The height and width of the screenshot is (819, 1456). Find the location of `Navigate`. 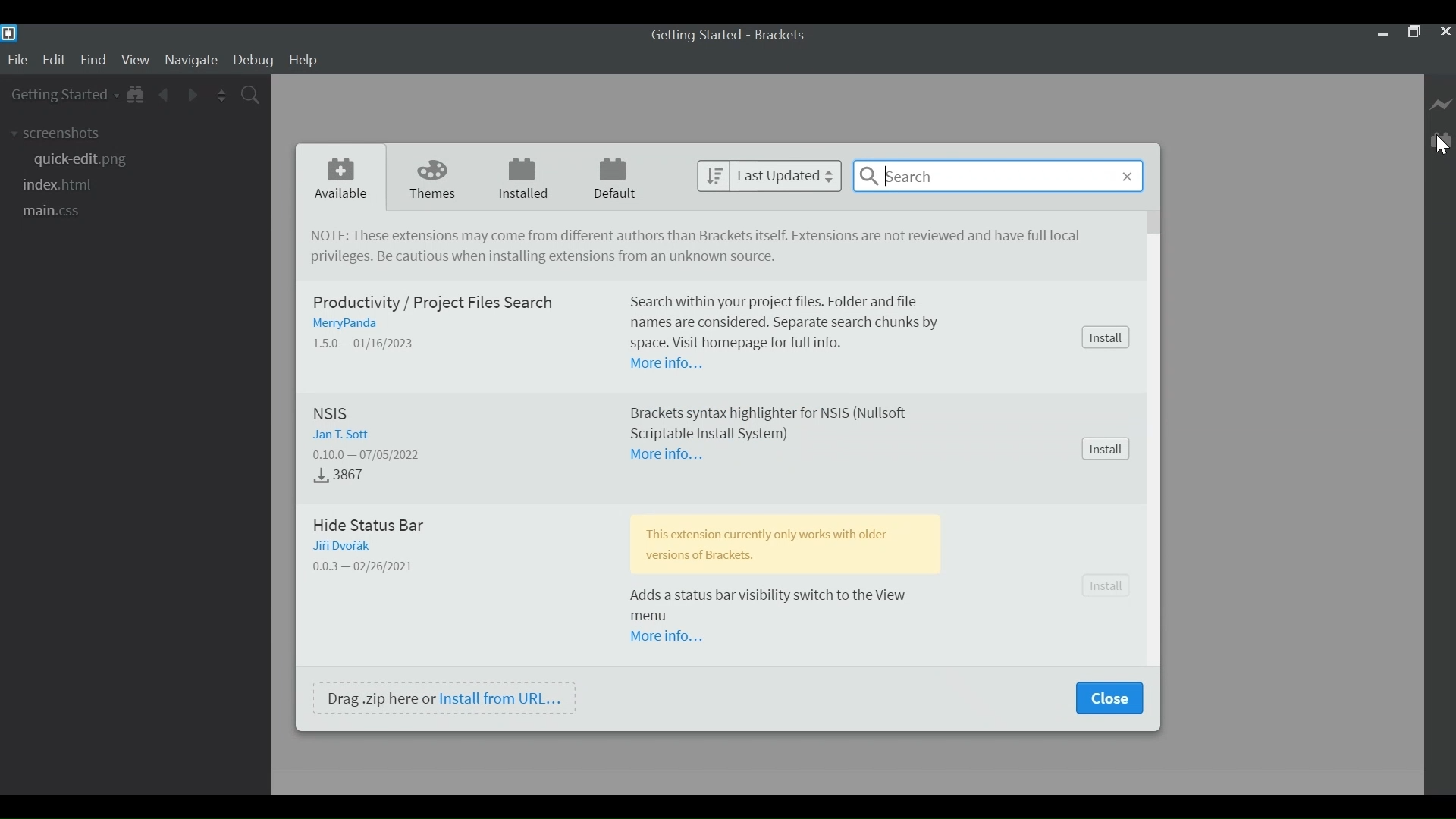

Navigate is located at coordinates (190, 61).